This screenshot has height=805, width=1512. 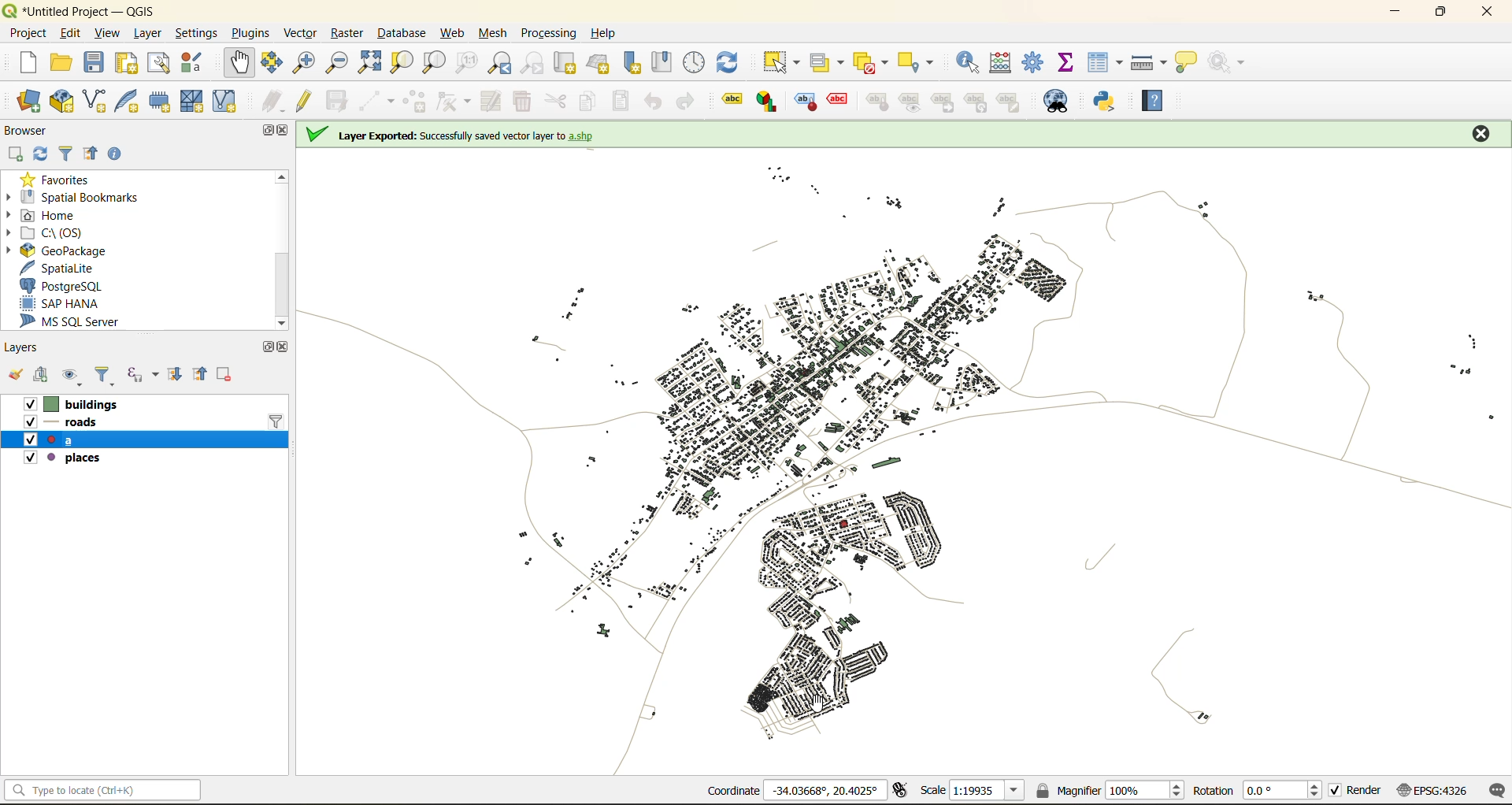 What do you see at coordinates (67, 287) in the screenshot?
I see `postgresql` at bounding box center [67, 287].